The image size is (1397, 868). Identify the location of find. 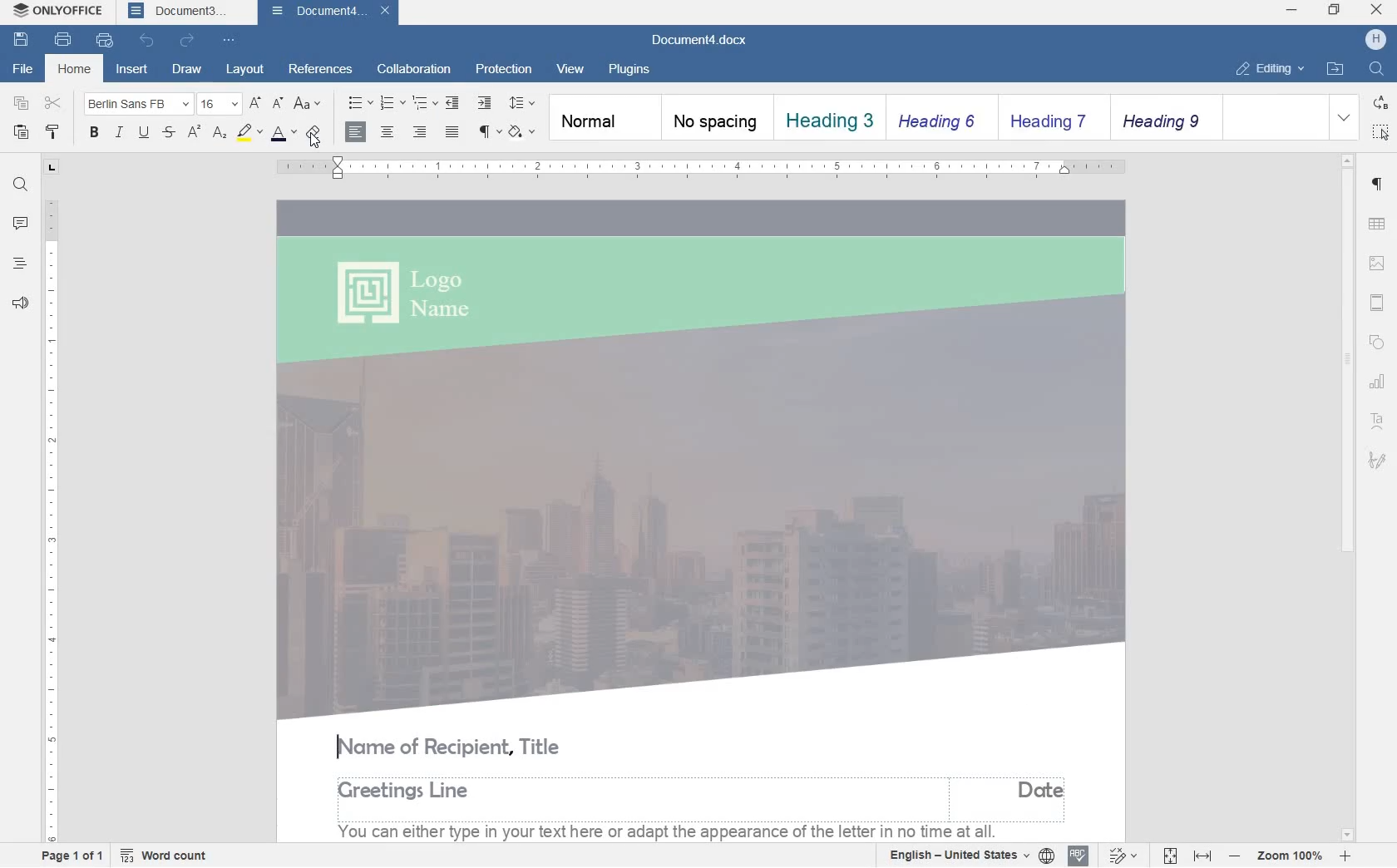
(19, 188).